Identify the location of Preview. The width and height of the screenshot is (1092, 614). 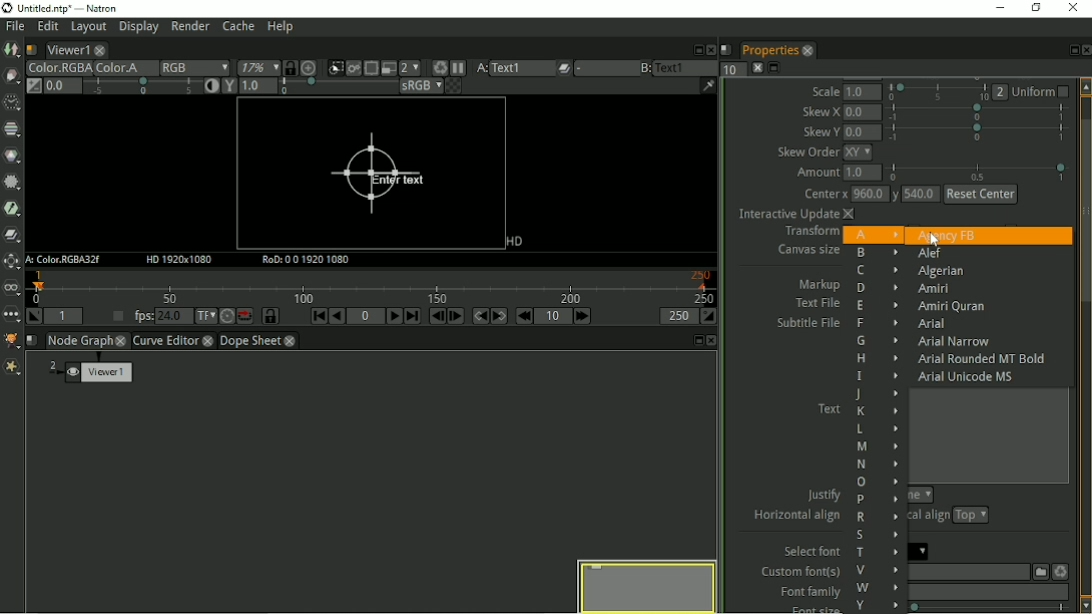
(644, 584).